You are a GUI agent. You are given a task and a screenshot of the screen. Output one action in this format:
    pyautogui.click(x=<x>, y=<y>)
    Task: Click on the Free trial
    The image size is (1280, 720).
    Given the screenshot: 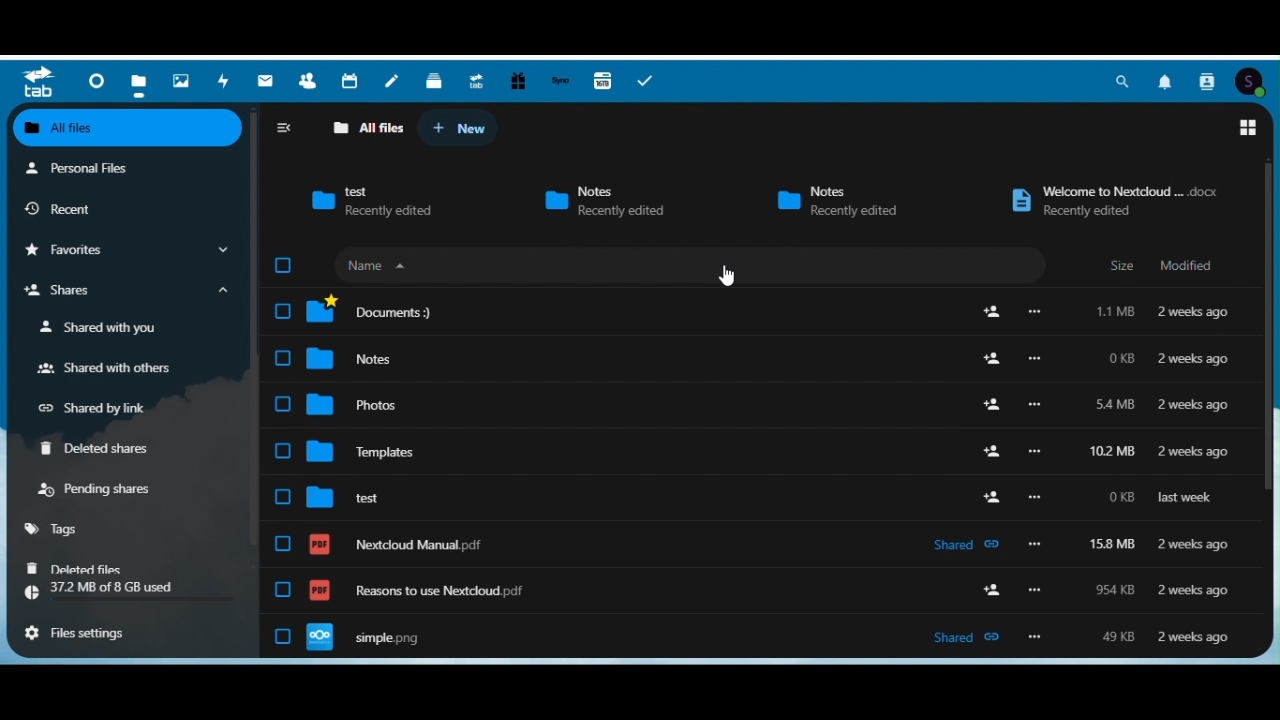 What is the action you would take?
    pyautogui.click(x=515, y=80)
    